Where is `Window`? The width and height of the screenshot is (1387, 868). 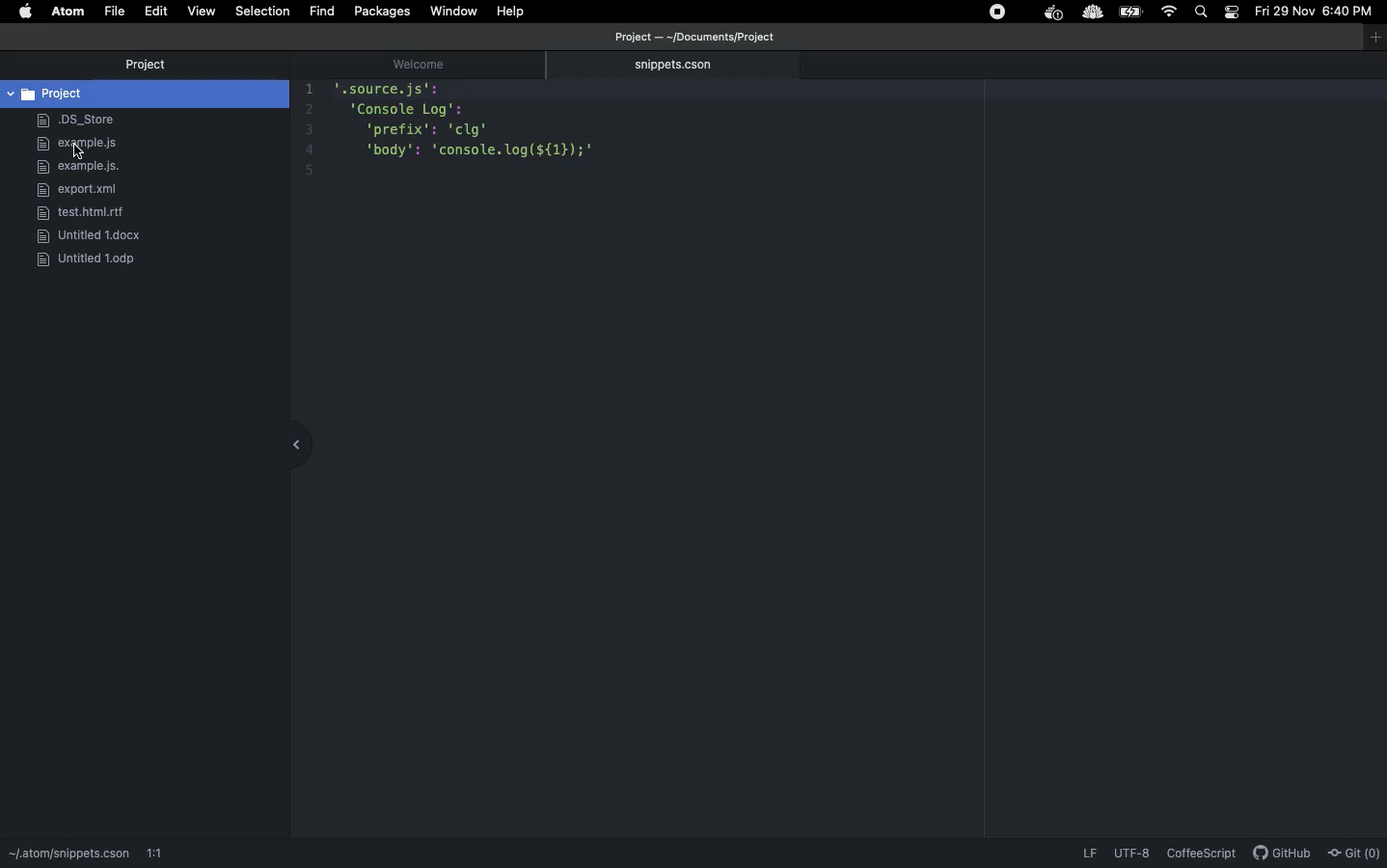 Window is located at coordinates (457, 12).